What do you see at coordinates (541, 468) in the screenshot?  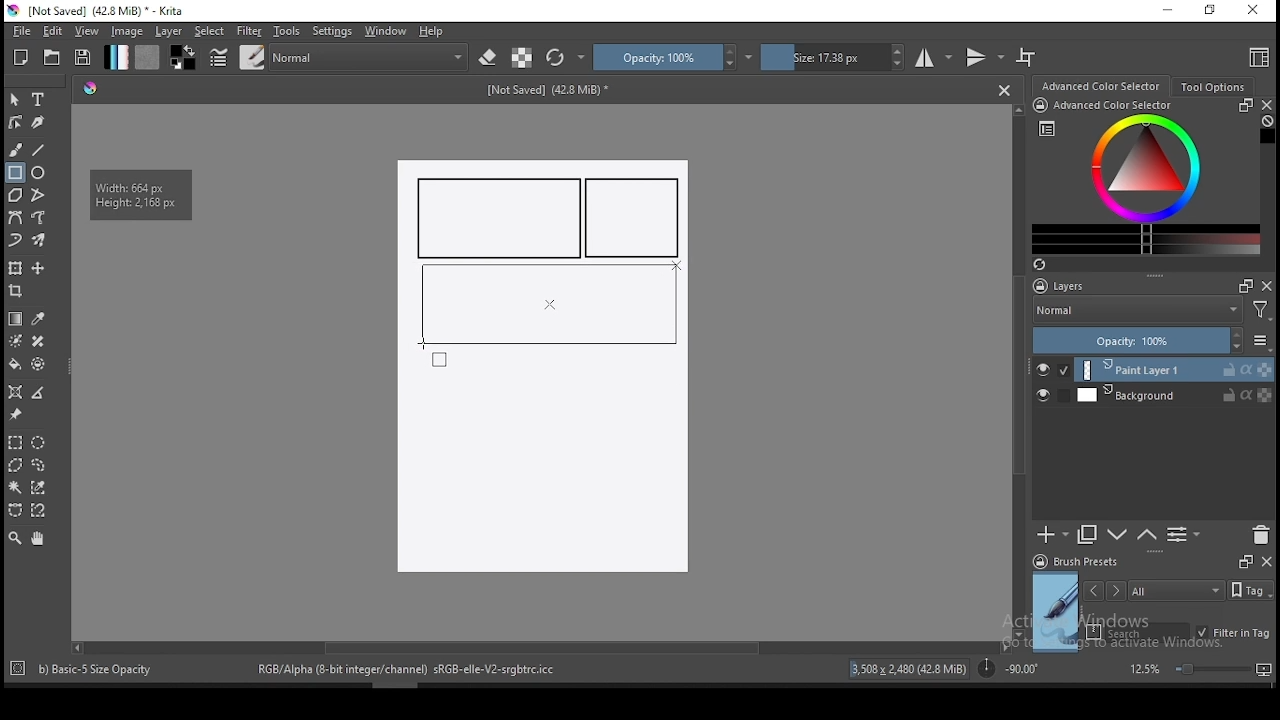 I see `Image` at bounding box center [541, 468].